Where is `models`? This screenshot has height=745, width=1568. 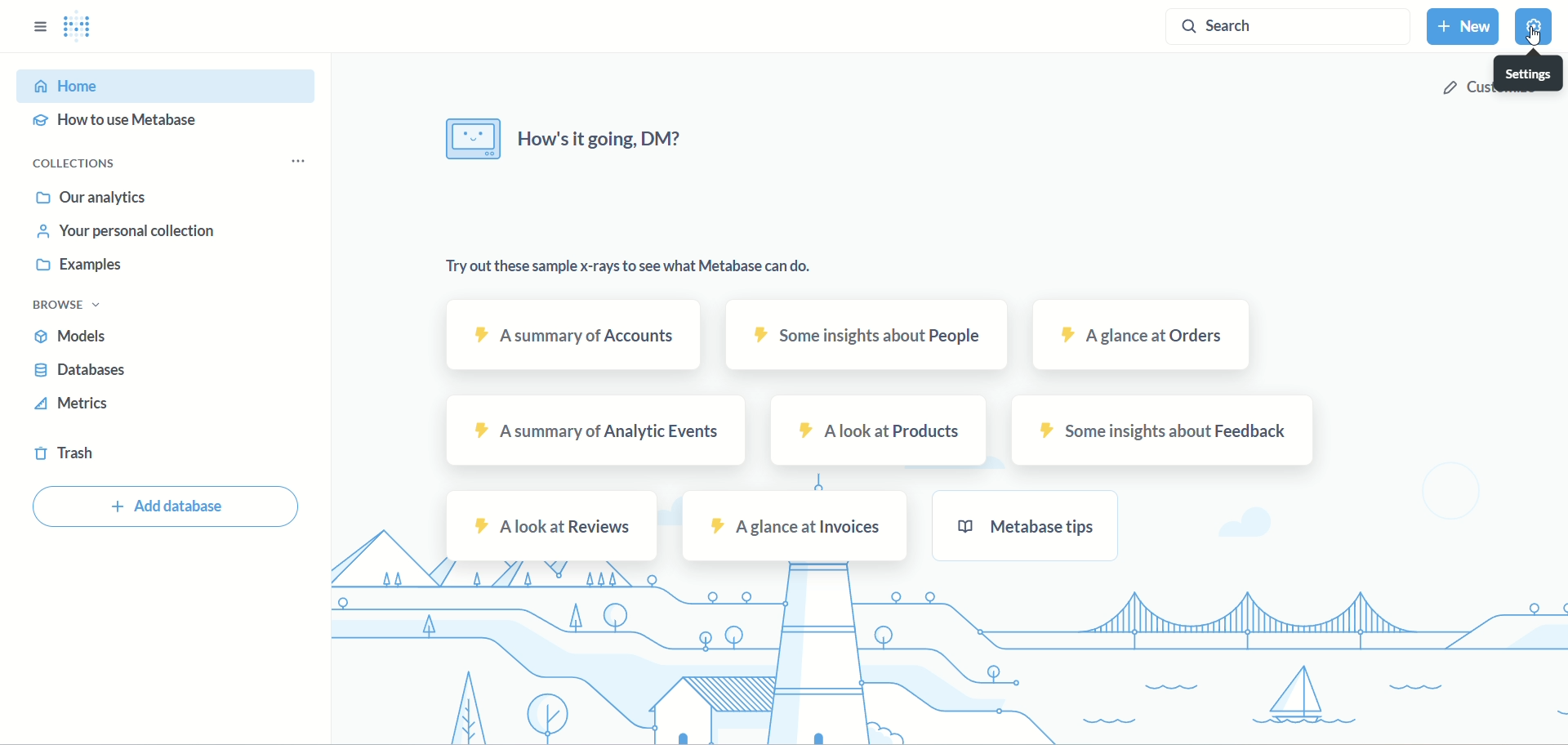
models is located at coordinates (70, 335).